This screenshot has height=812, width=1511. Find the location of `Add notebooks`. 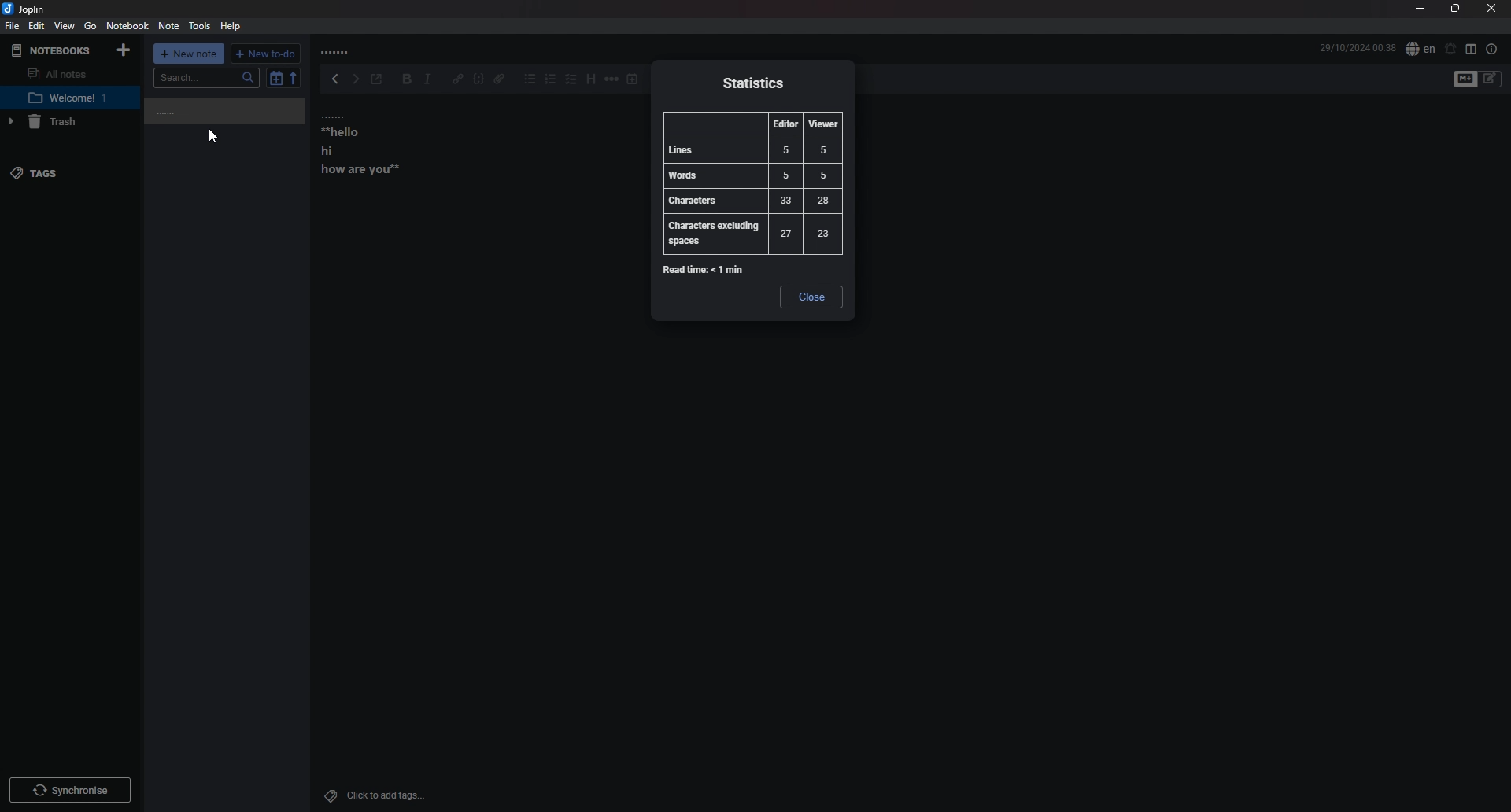

Add notebooks is located at coordinates (122, 51).